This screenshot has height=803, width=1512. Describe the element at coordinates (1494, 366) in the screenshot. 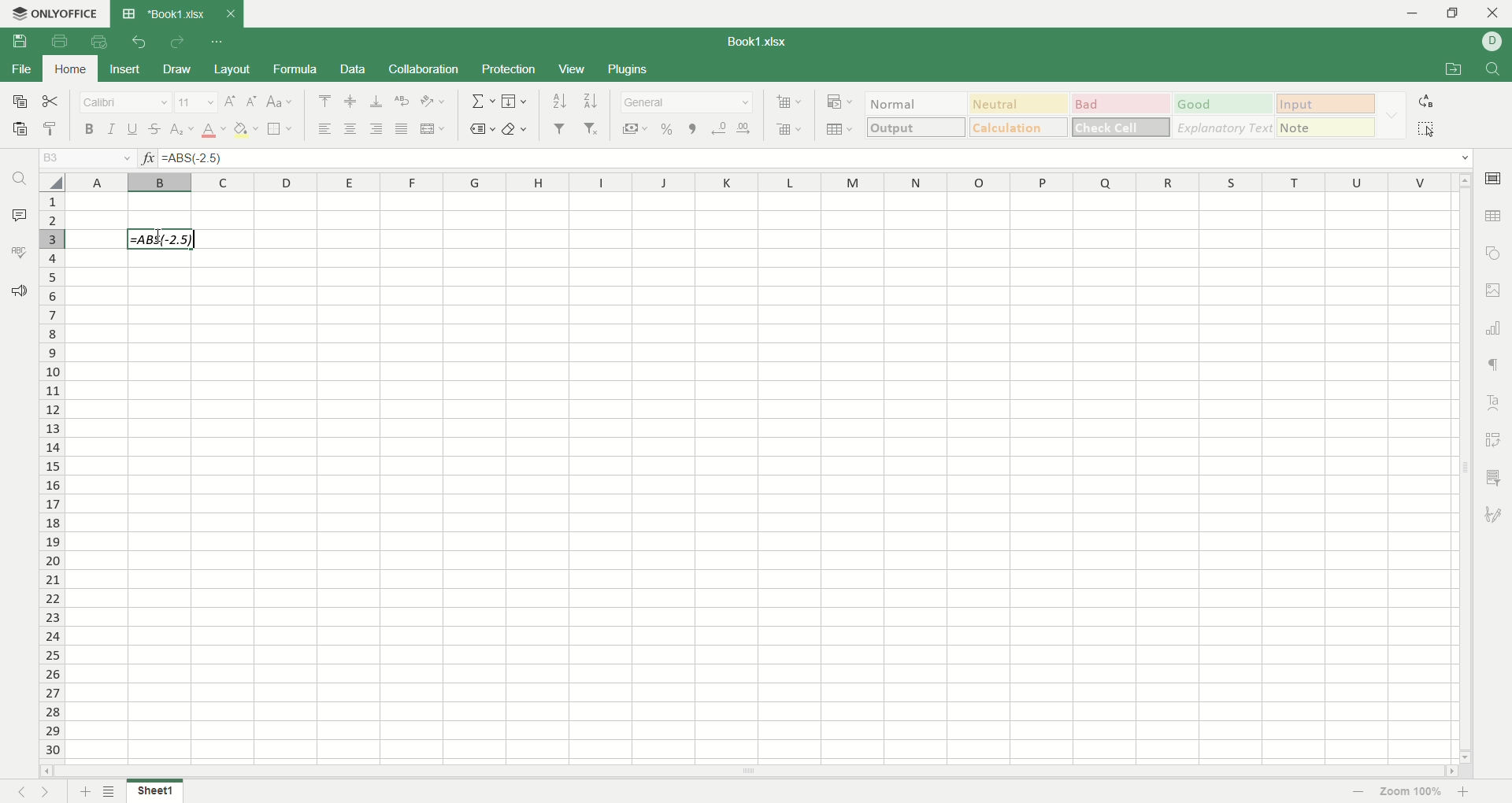

I see `paragraph settings` at that location.